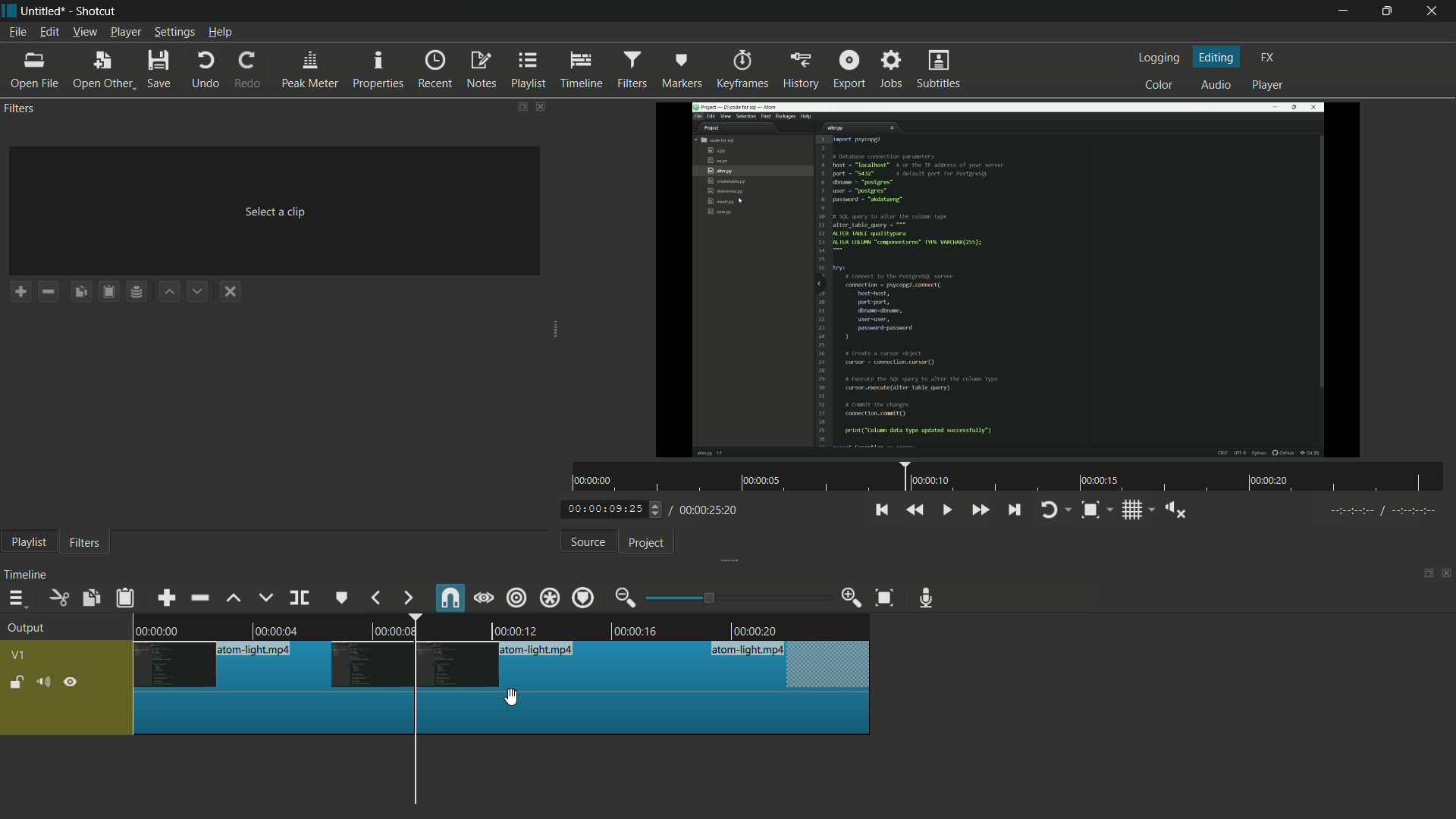  What do you see at coordinates (28, 544) in the screenshot?
I see `playlist` at bounding box center [28, 544].